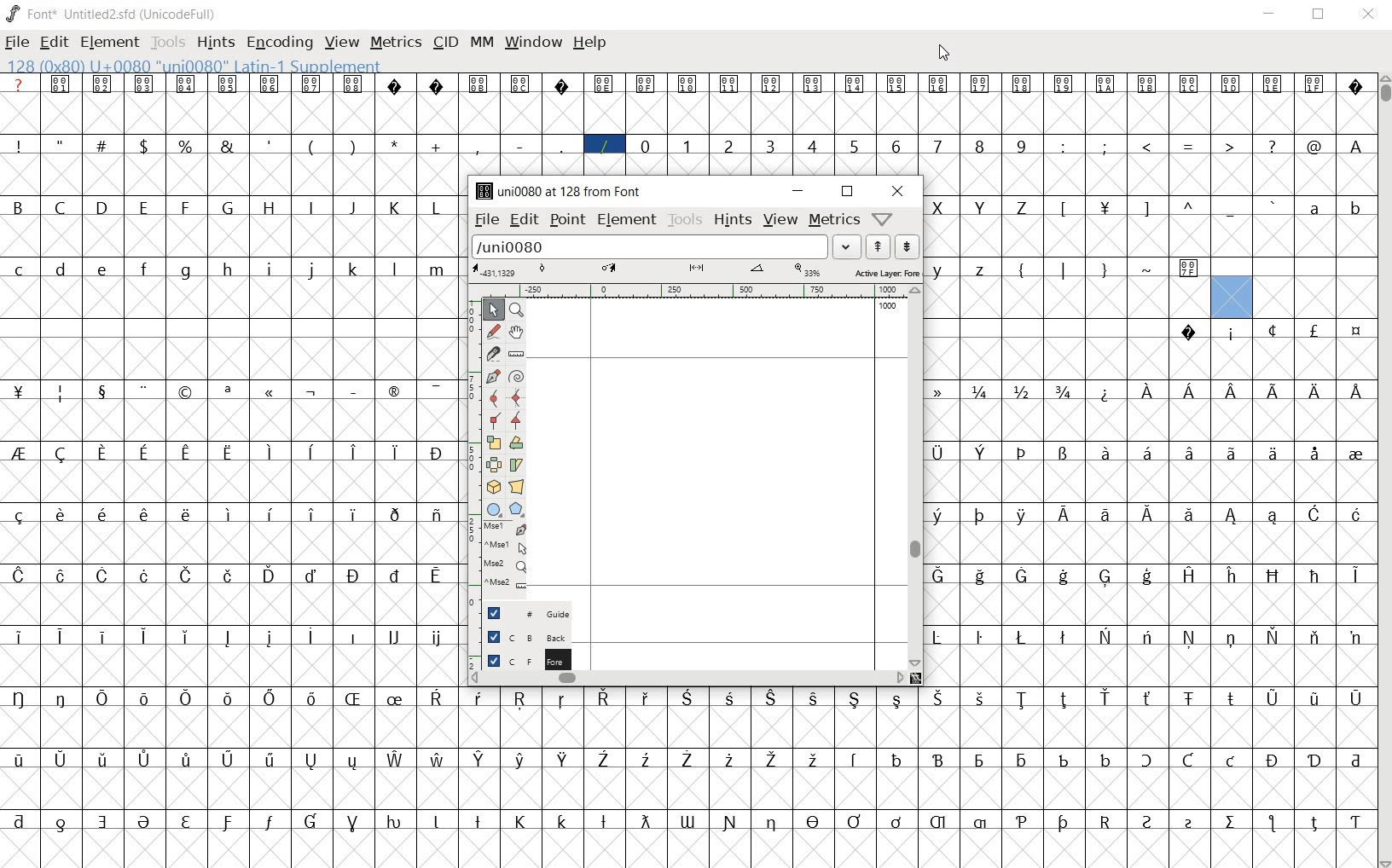 The image size is (1392, 868). What do you see at coordinates (981, 208) in the screenshot?
I see `glyph` at bounding box center [981, 208].